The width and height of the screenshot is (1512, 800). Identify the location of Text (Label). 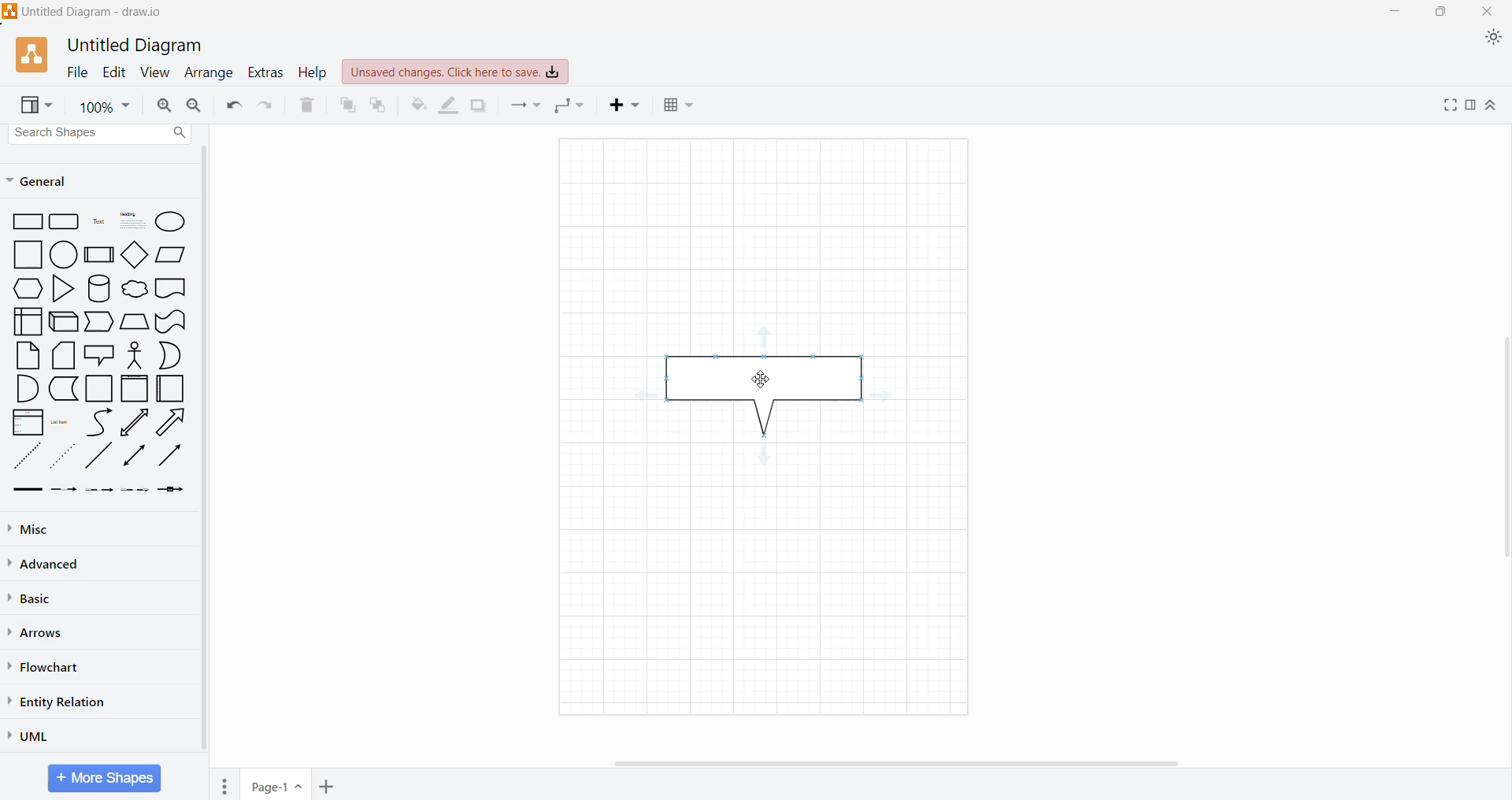
(97, 224).